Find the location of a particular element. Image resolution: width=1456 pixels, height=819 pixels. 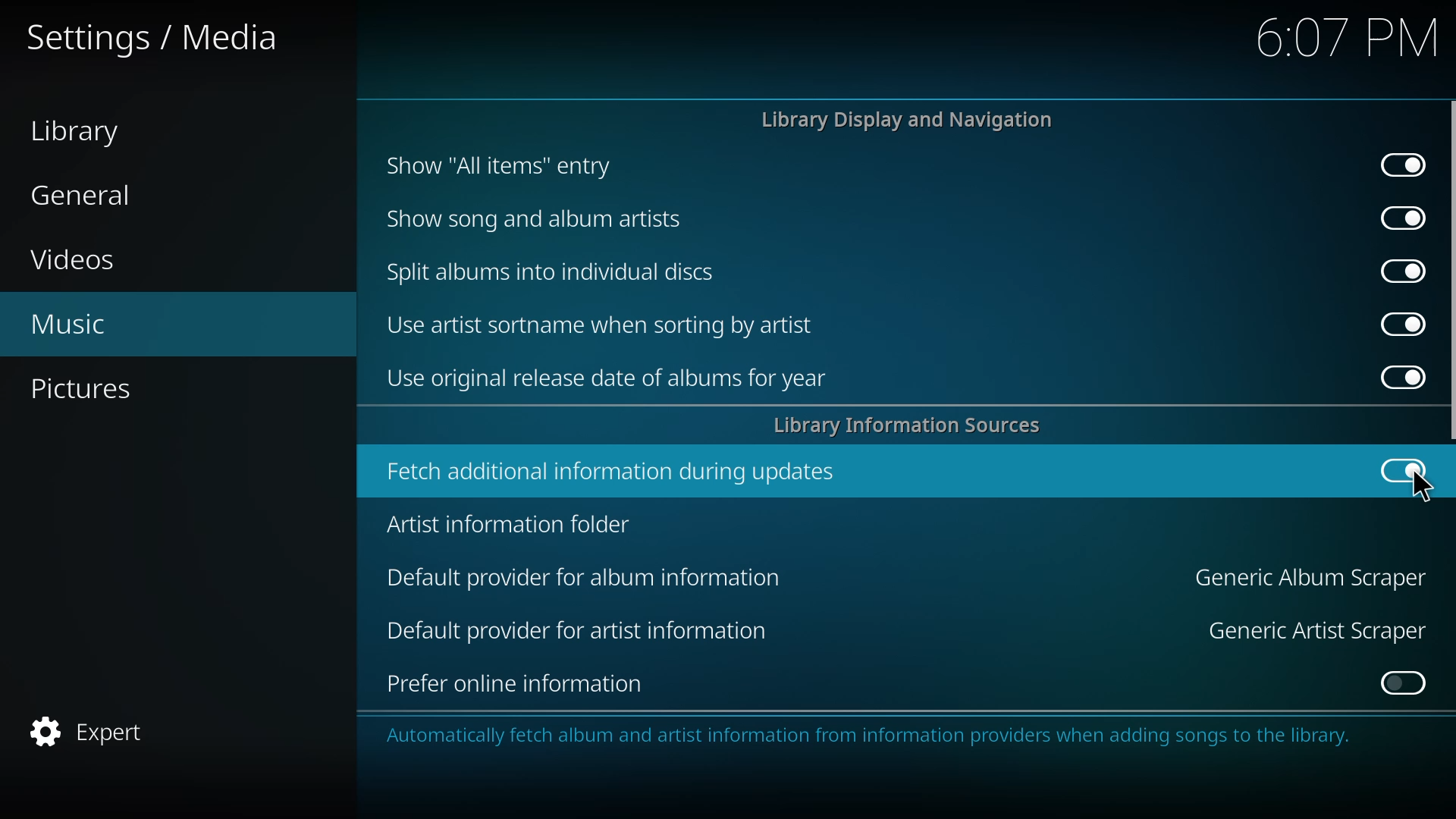

Generic Album Scraper is located at coordinates (1310, 578).